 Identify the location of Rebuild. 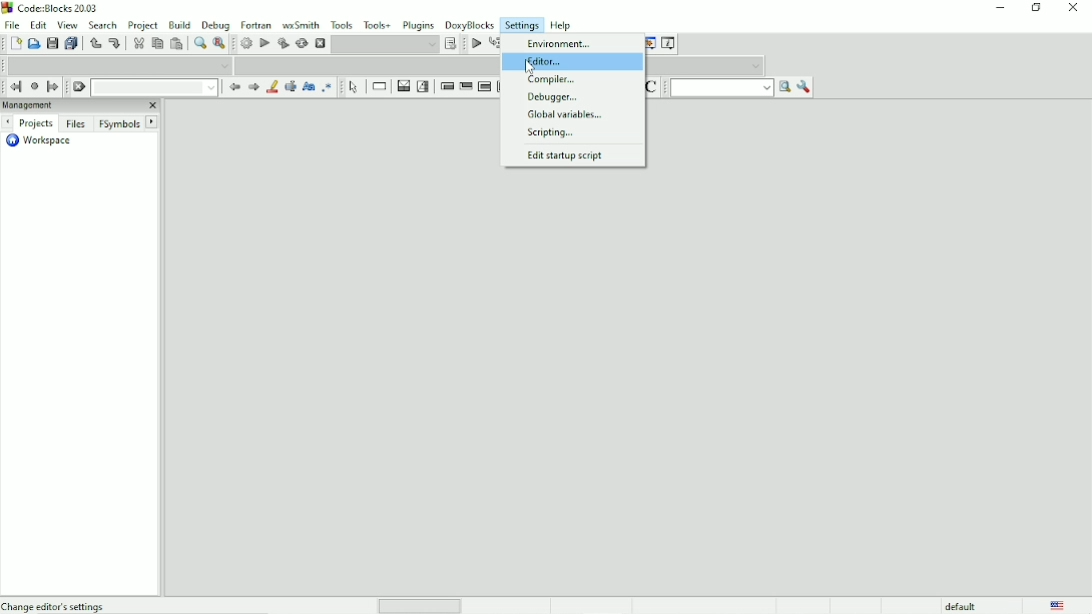
(301, 43).